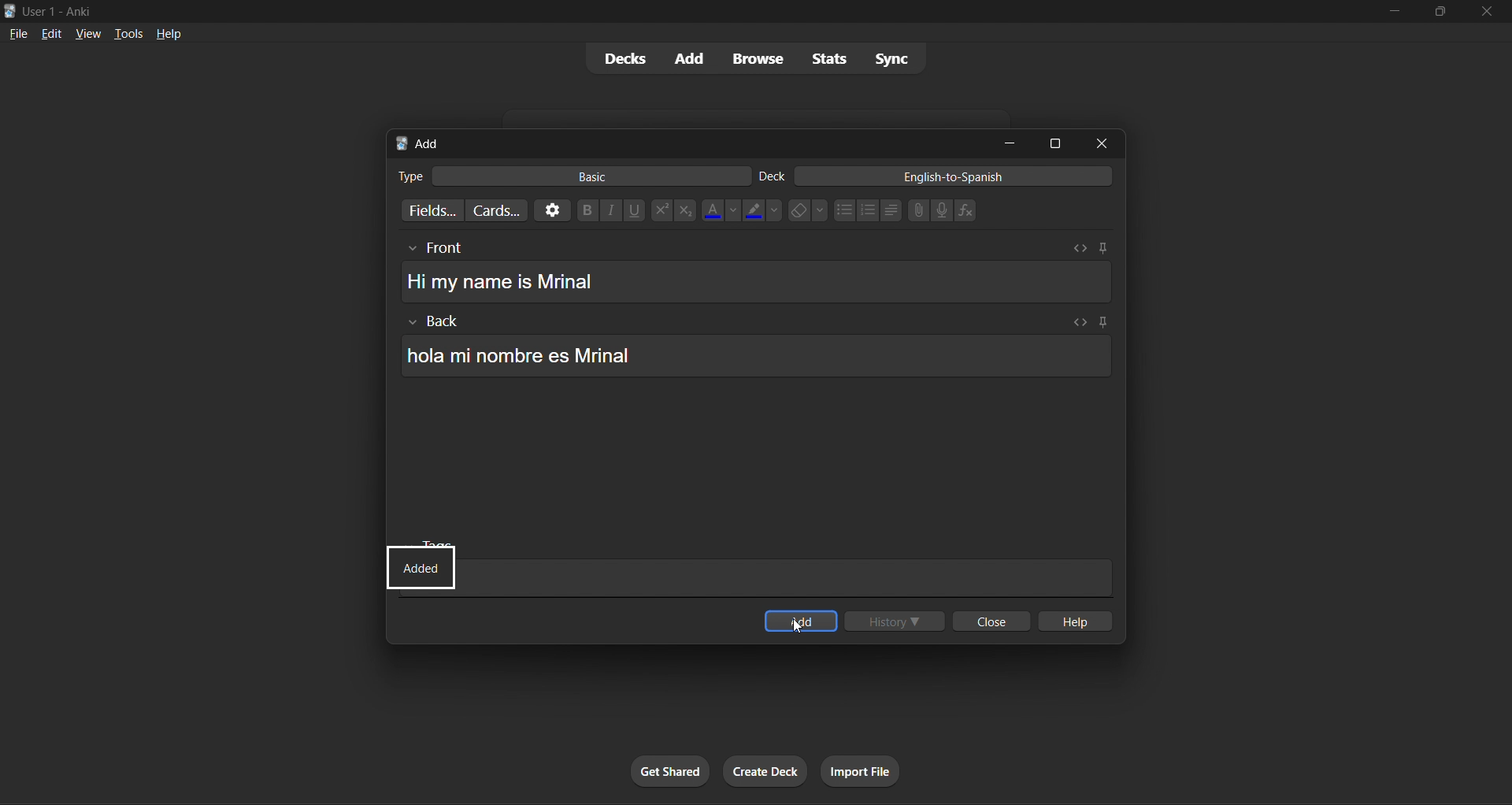 This screenshot has height=805, width=1512. Describe the element at coordinates (421, 566) in the screenshot. I see `status update` at that location.